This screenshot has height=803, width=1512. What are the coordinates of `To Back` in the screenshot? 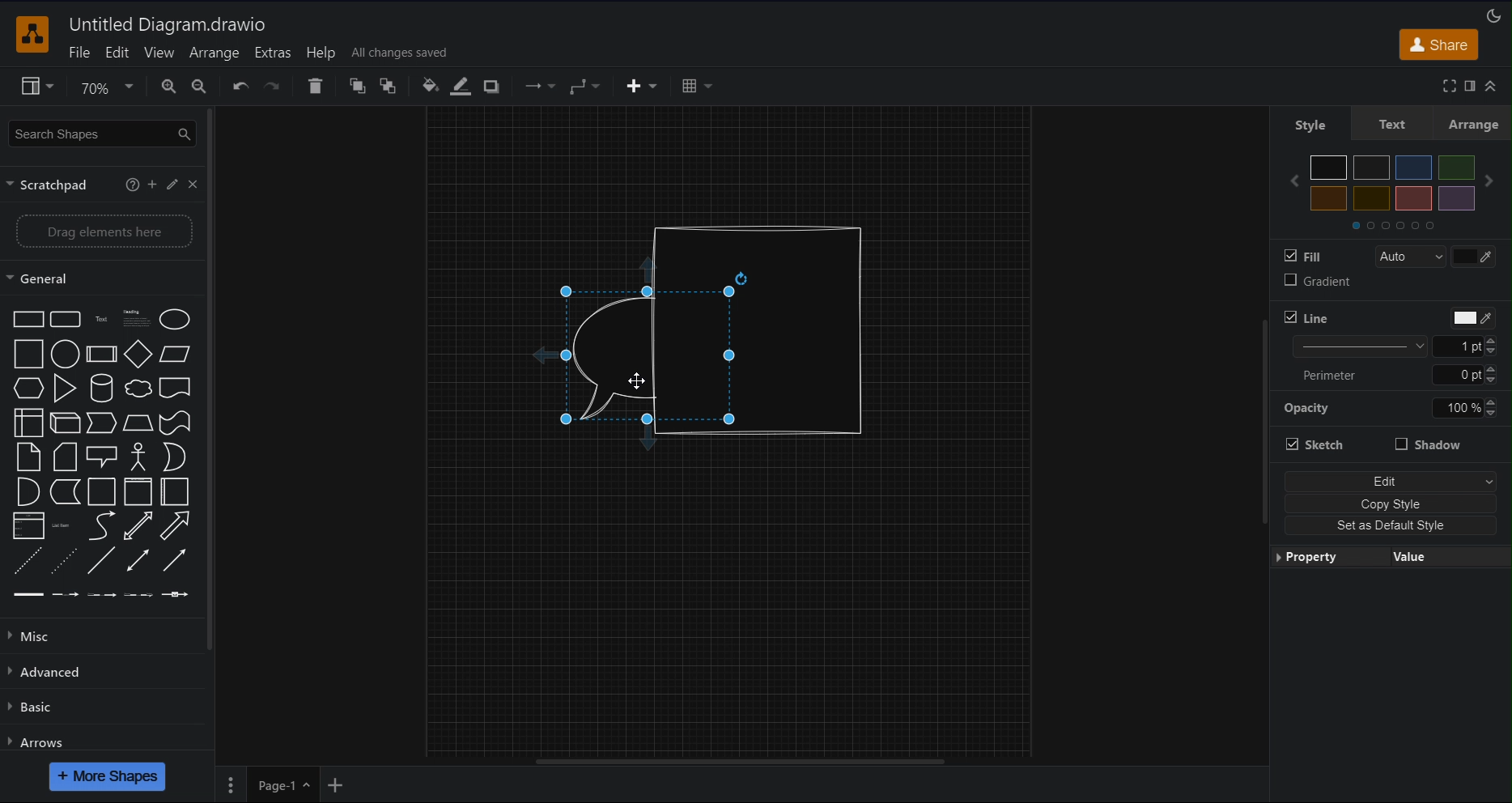 It's located at (391, 86).